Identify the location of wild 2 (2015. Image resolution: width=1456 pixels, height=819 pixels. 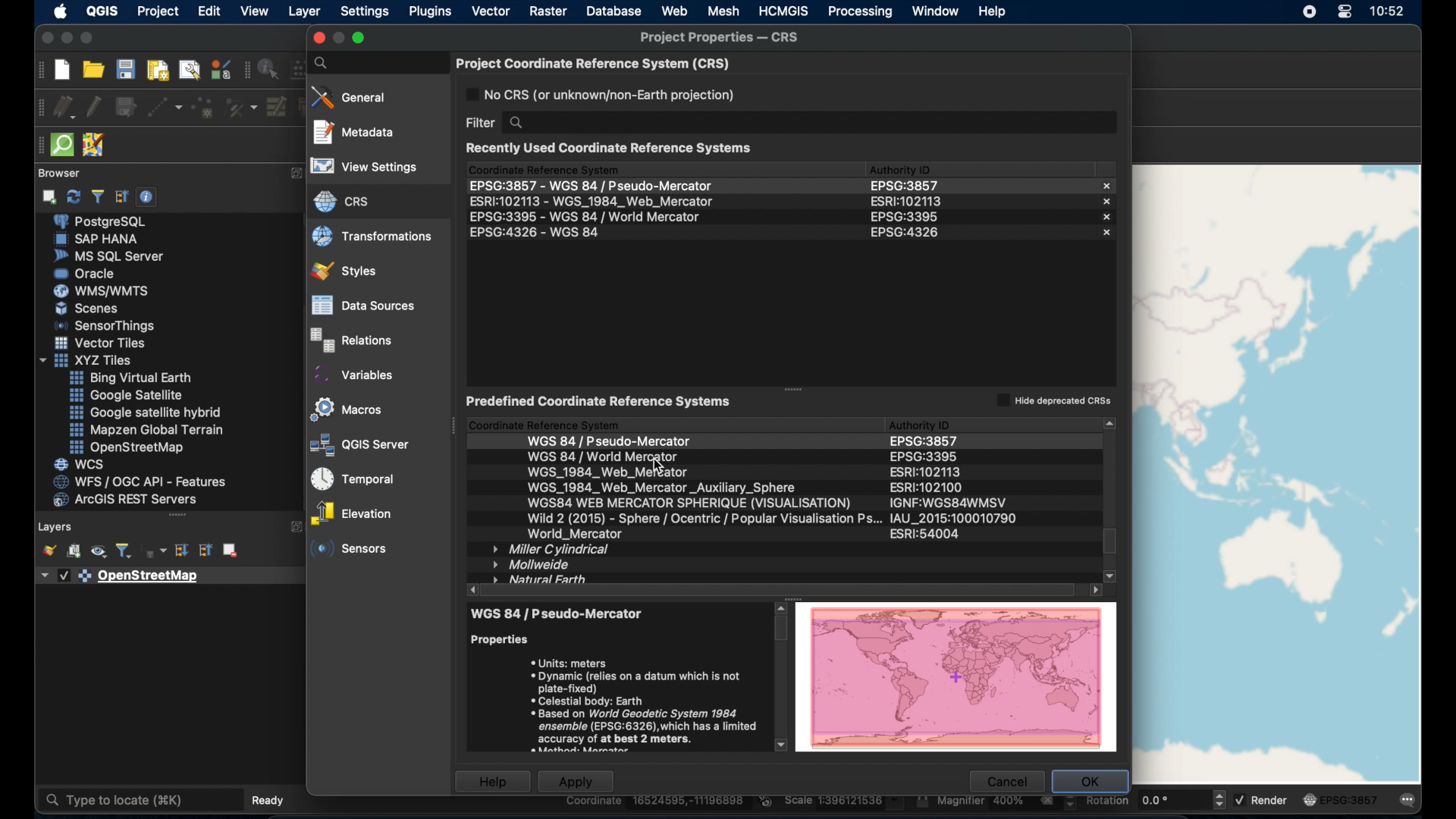
(702, 519).